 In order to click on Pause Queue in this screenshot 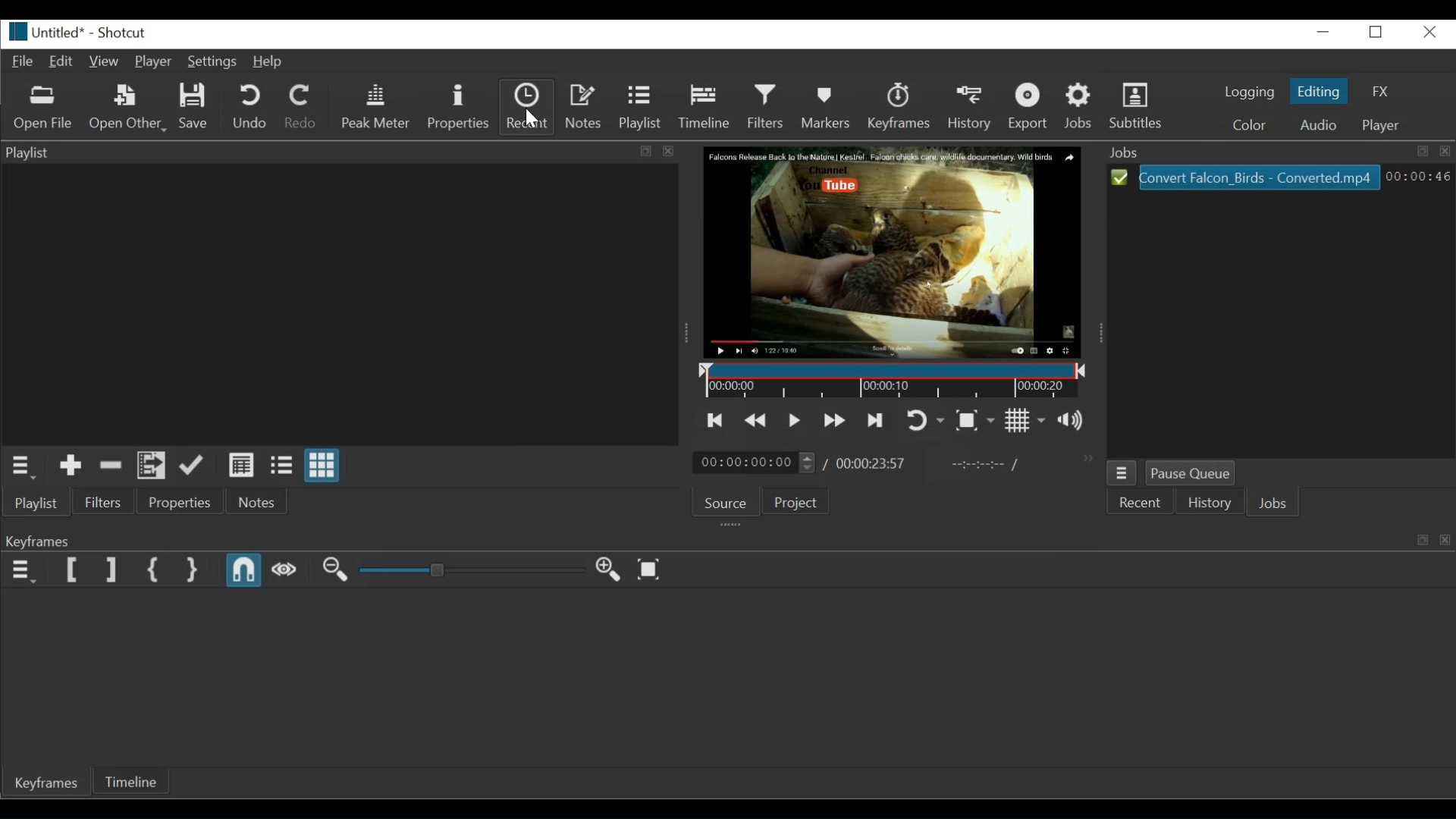, I will do `click(1197, 473)`.